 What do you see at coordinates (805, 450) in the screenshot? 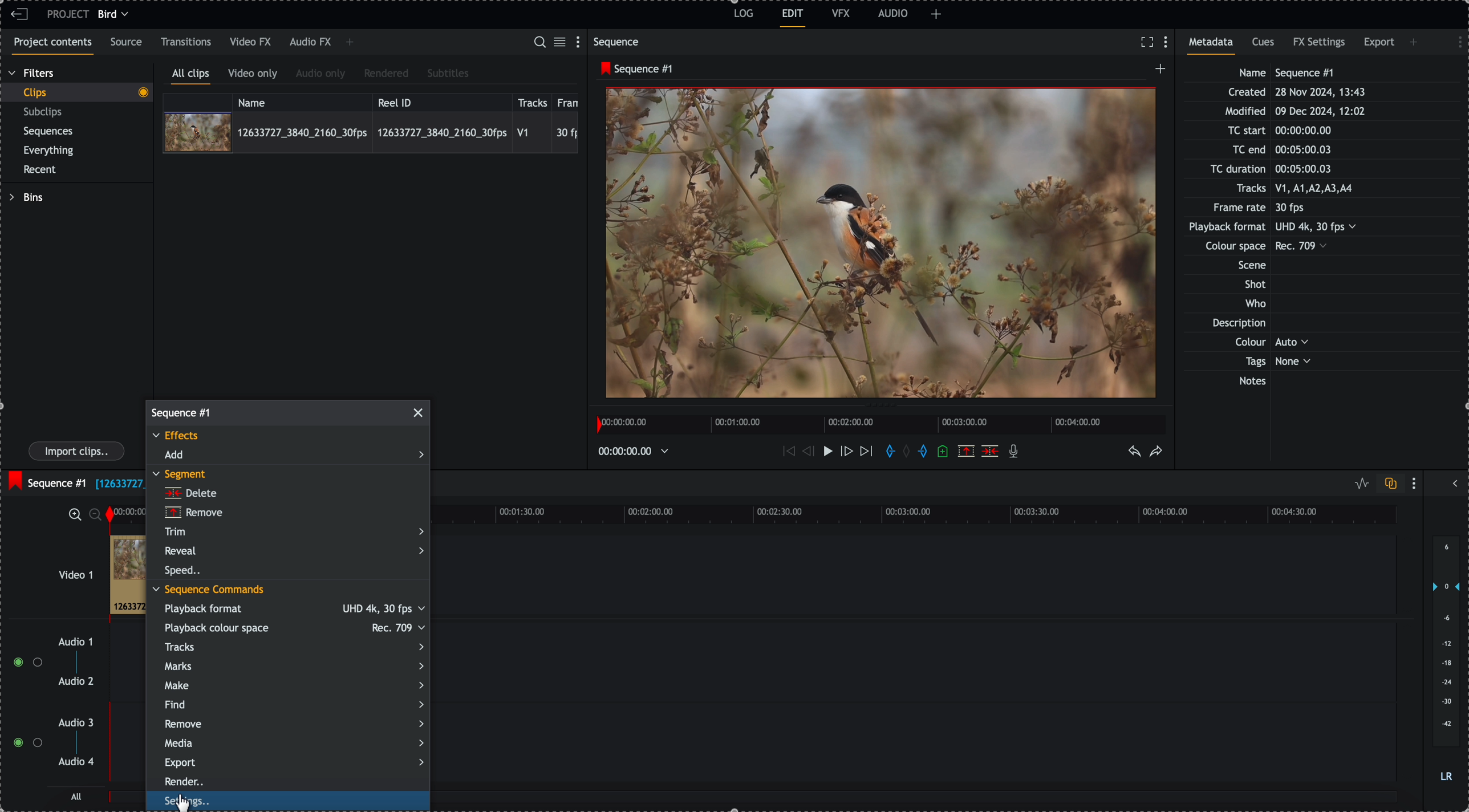
I see `nudge one frame back` at bounding box center [805, 450].